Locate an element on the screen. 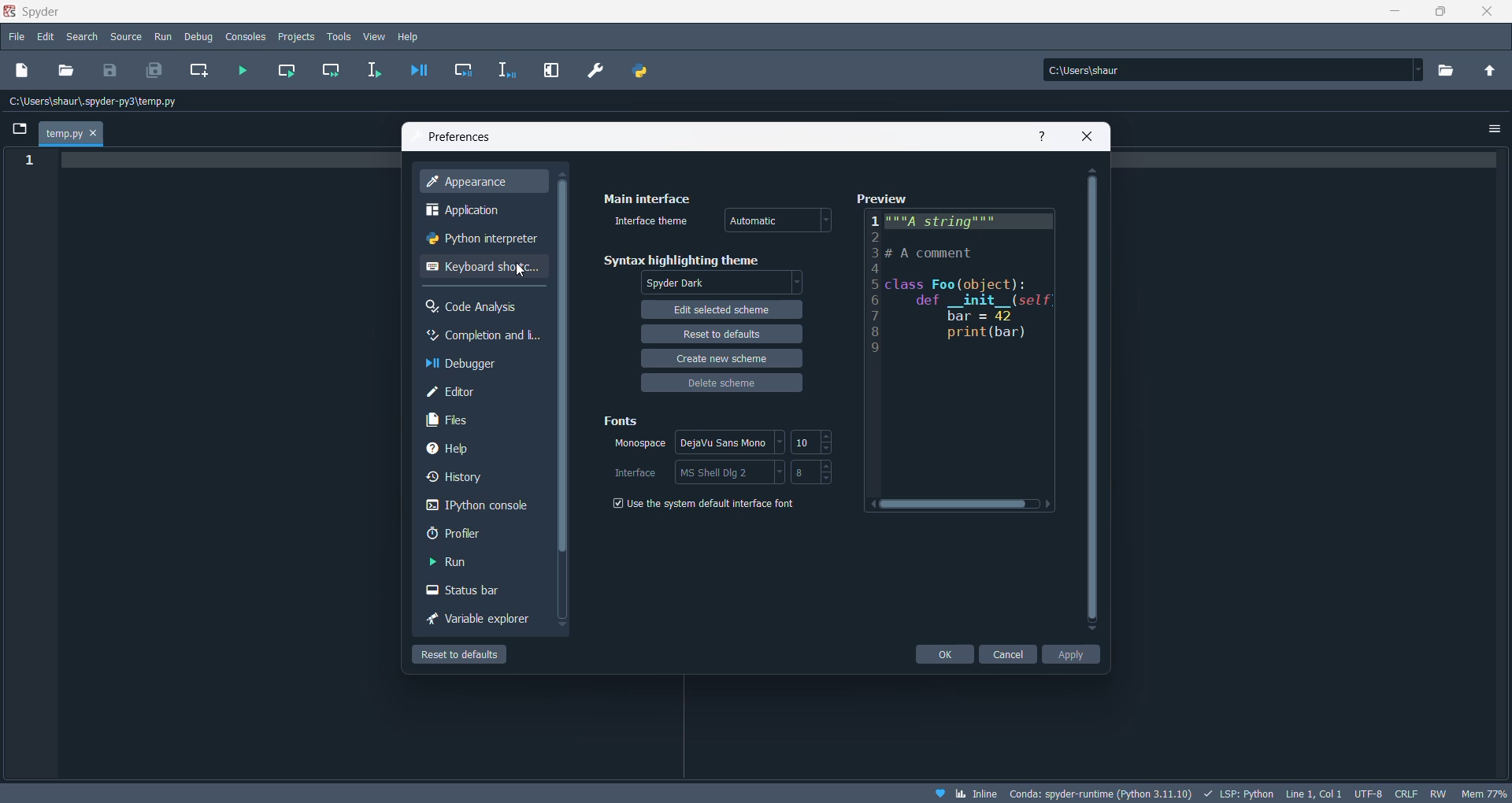 The width and height of the screenshot is (1512, 803). move down is located at coordinates (560, 626).